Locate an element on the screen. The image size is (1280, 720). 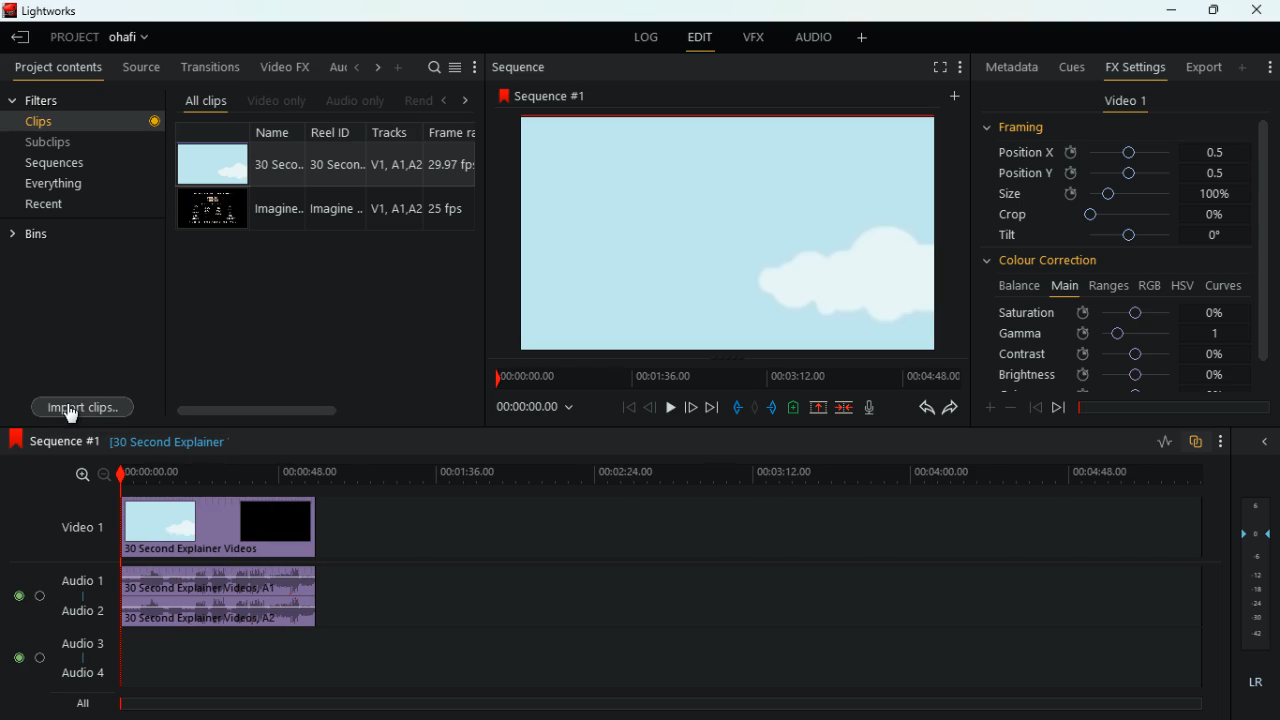
rgb is located at coordinates (1151, 284).